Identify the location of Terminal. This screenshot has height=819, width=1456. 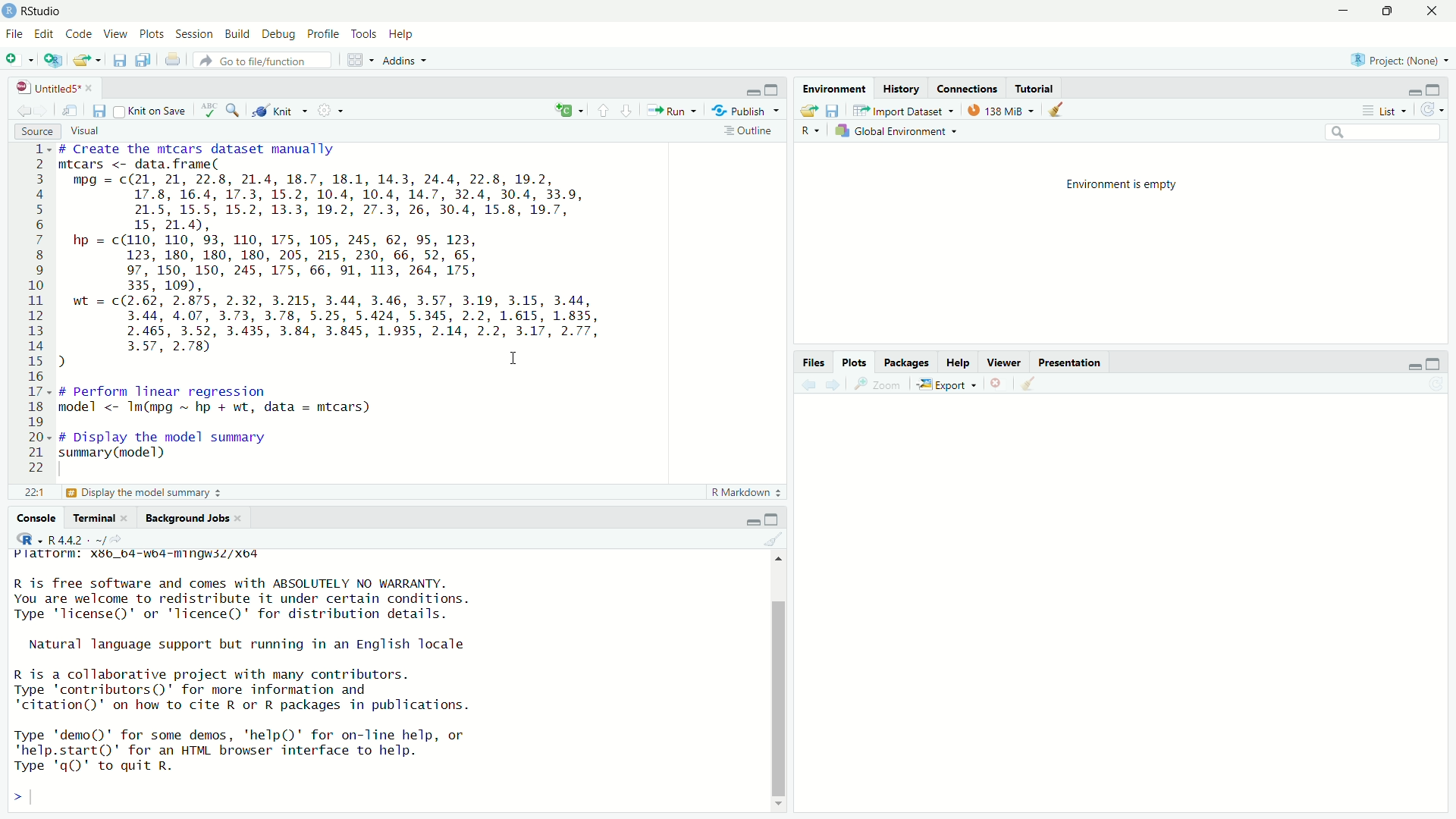
(96, 519).